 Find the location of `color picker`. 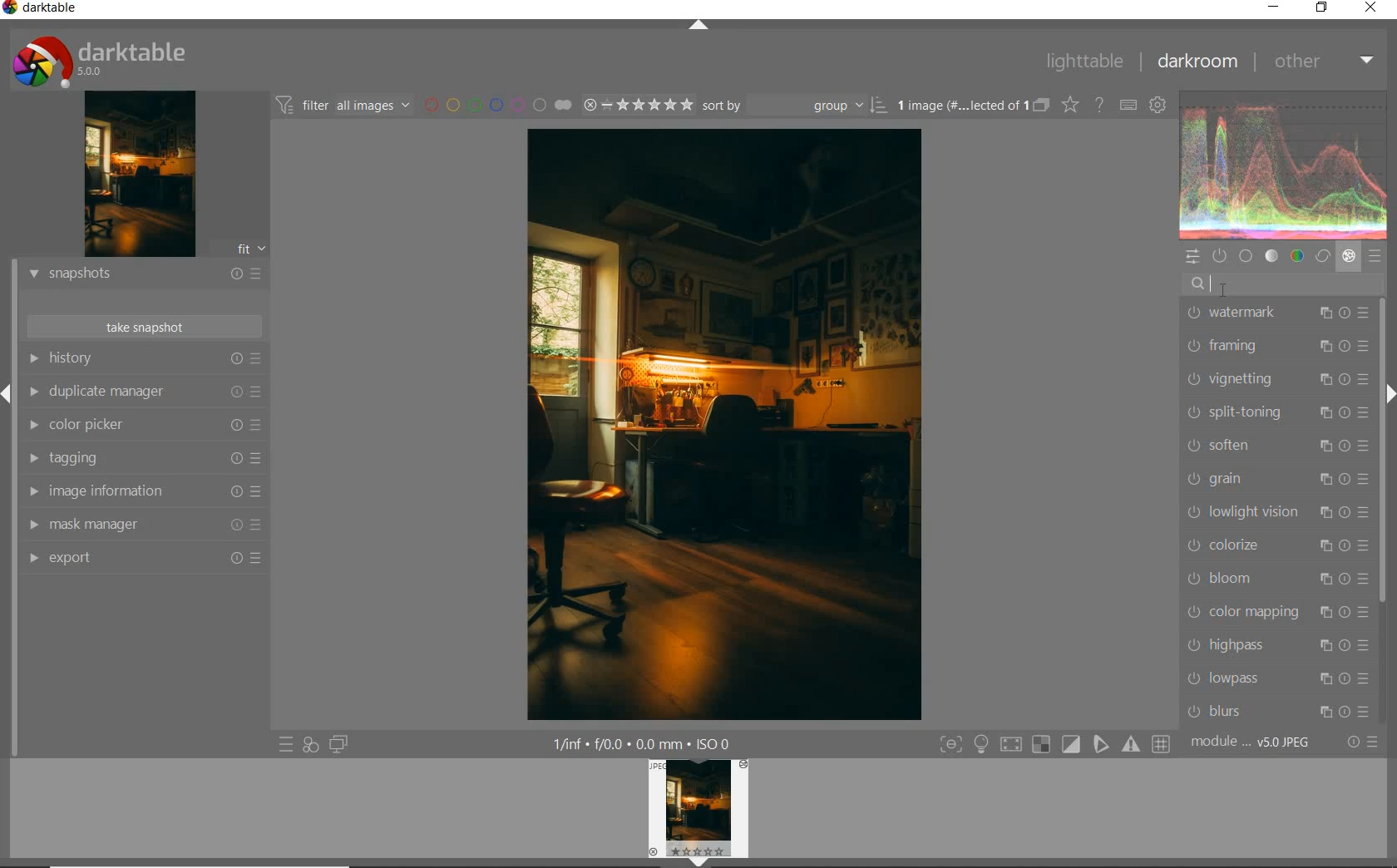

color picker is located at coordinates (141, 423).